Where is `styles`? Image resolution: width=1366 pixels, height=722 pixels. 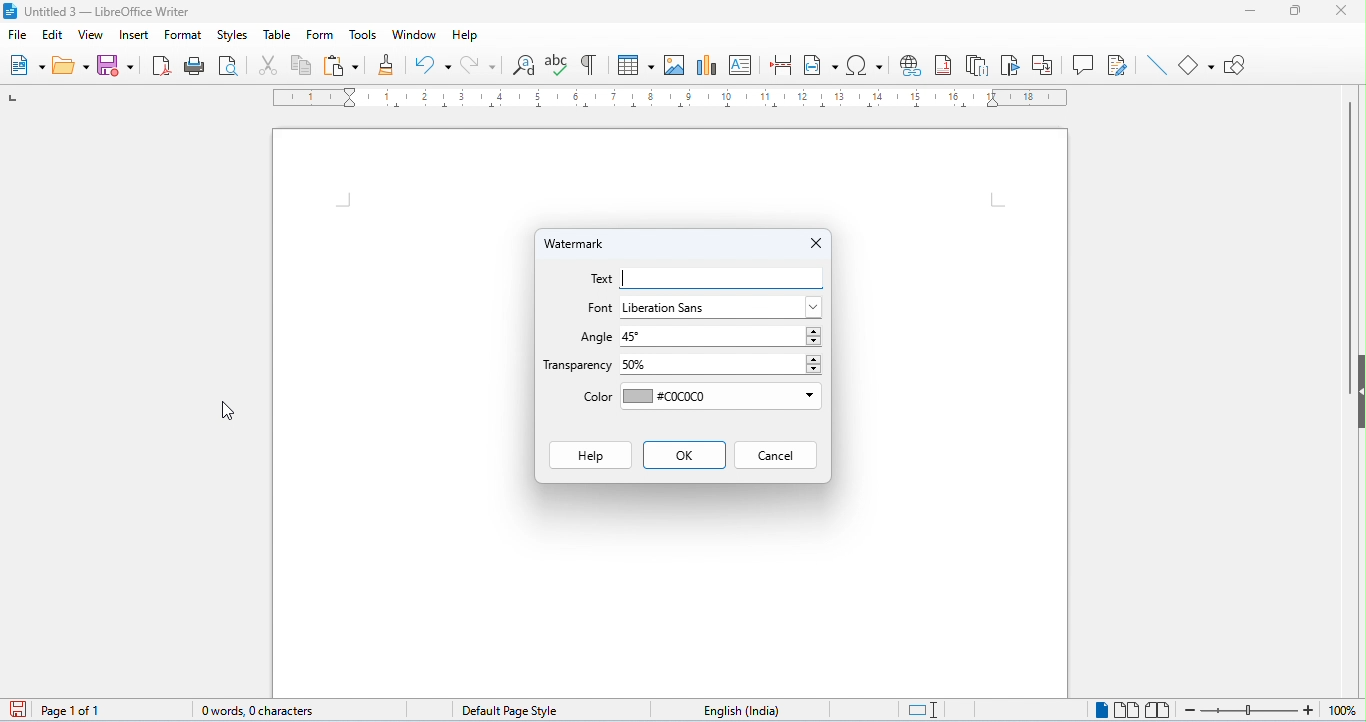 styles is located at coordinates (232, 35).